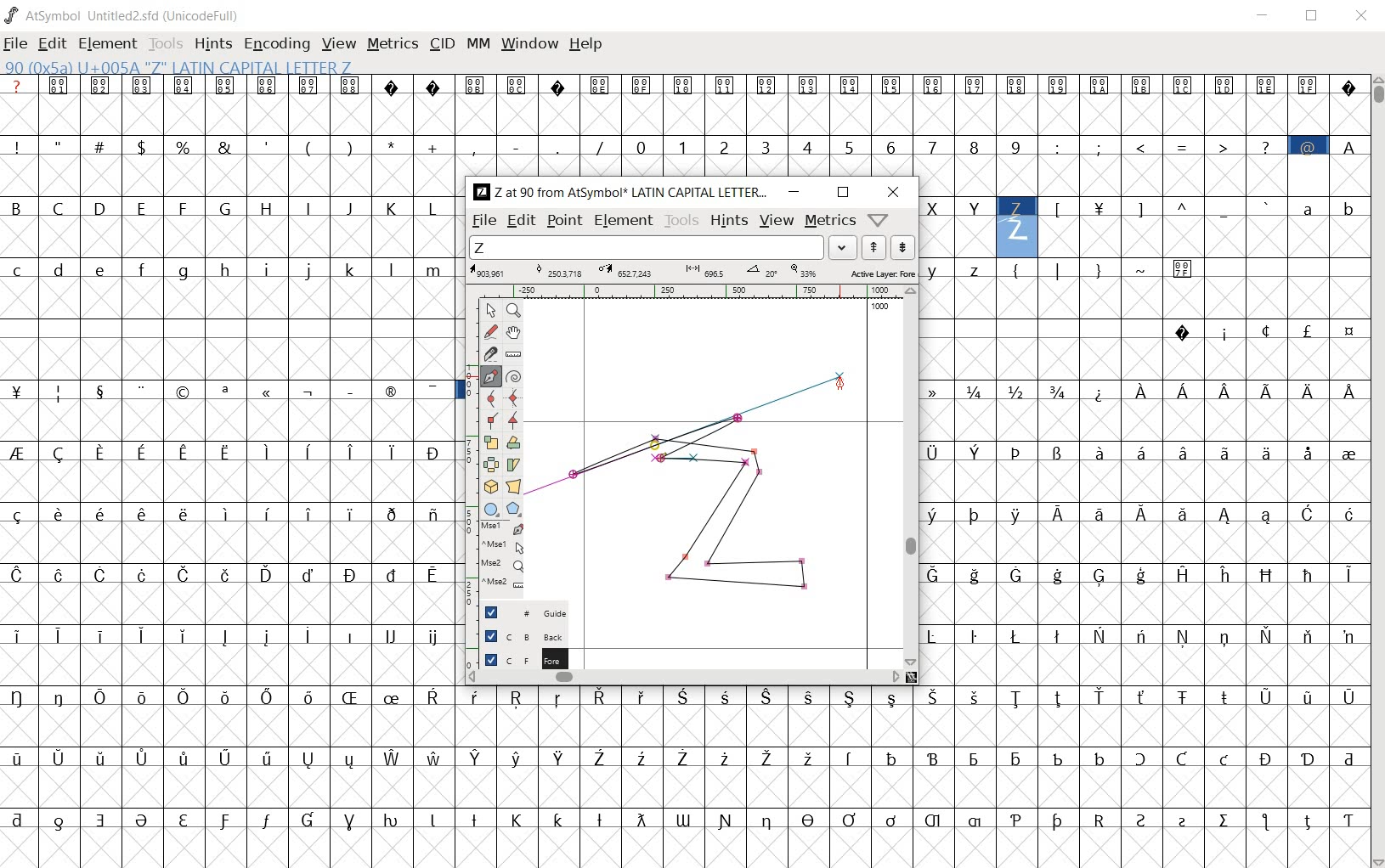 Image resolution: width=1385 pixels, height=868 pixels. Describe the element at coordinates (830, 222) in the screenshot. I see `metrics` at that location.